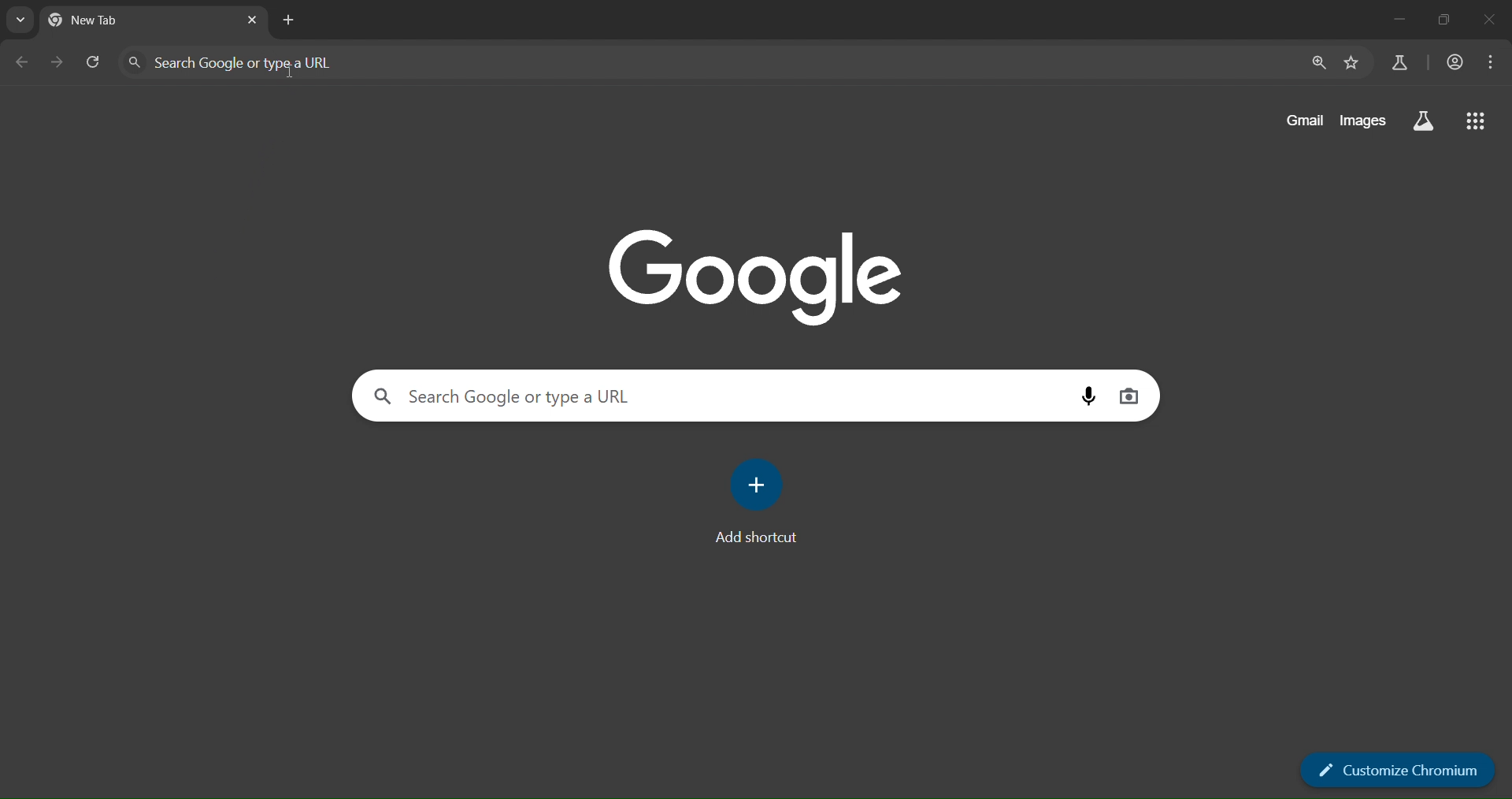  Describe the element at coordinates (109, 21) in the screenshot. I see `new tab` at that location.